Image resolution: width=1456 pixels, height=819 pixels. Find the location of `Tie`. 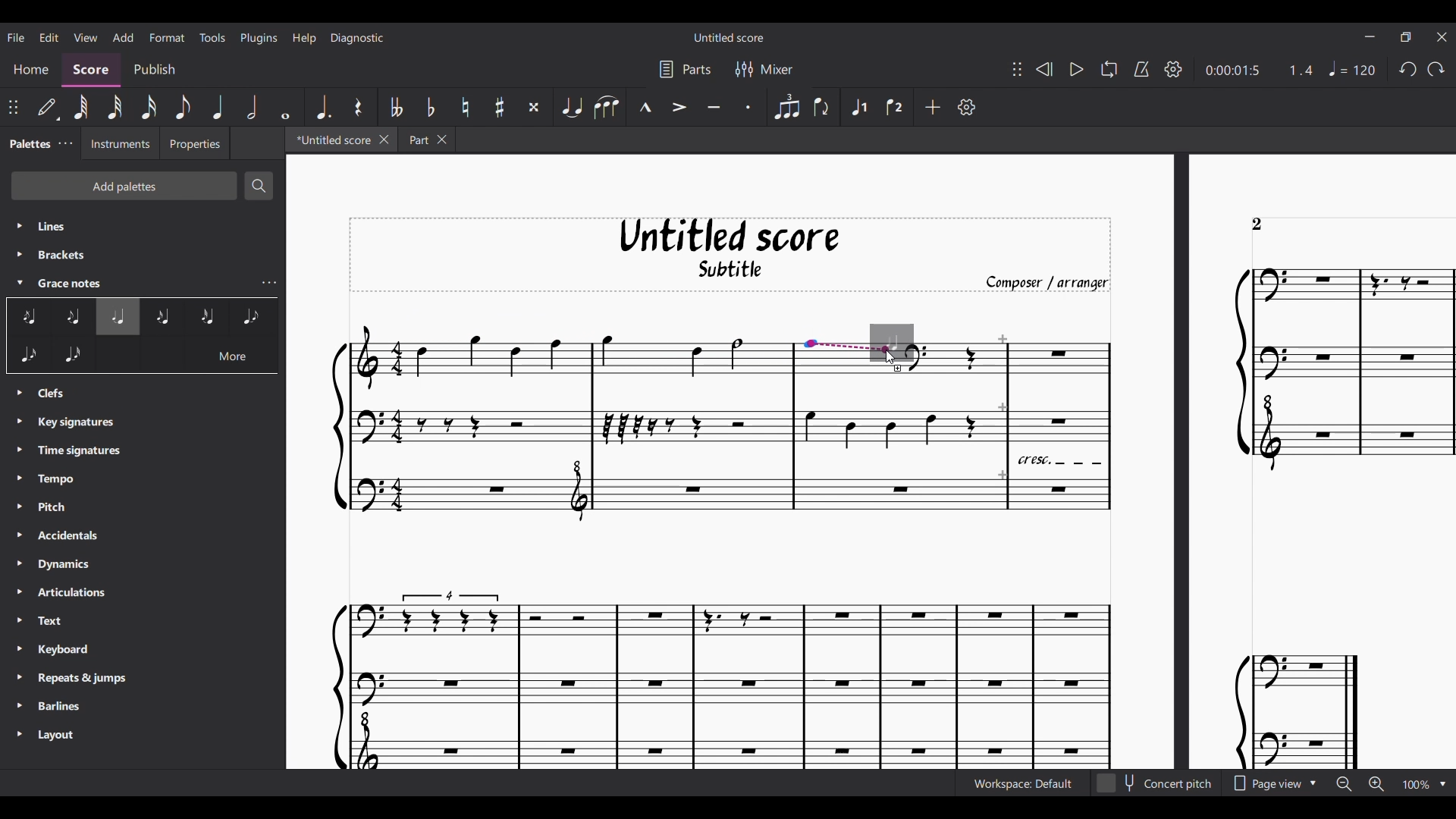

Tie is located at coordinates (571, 107).